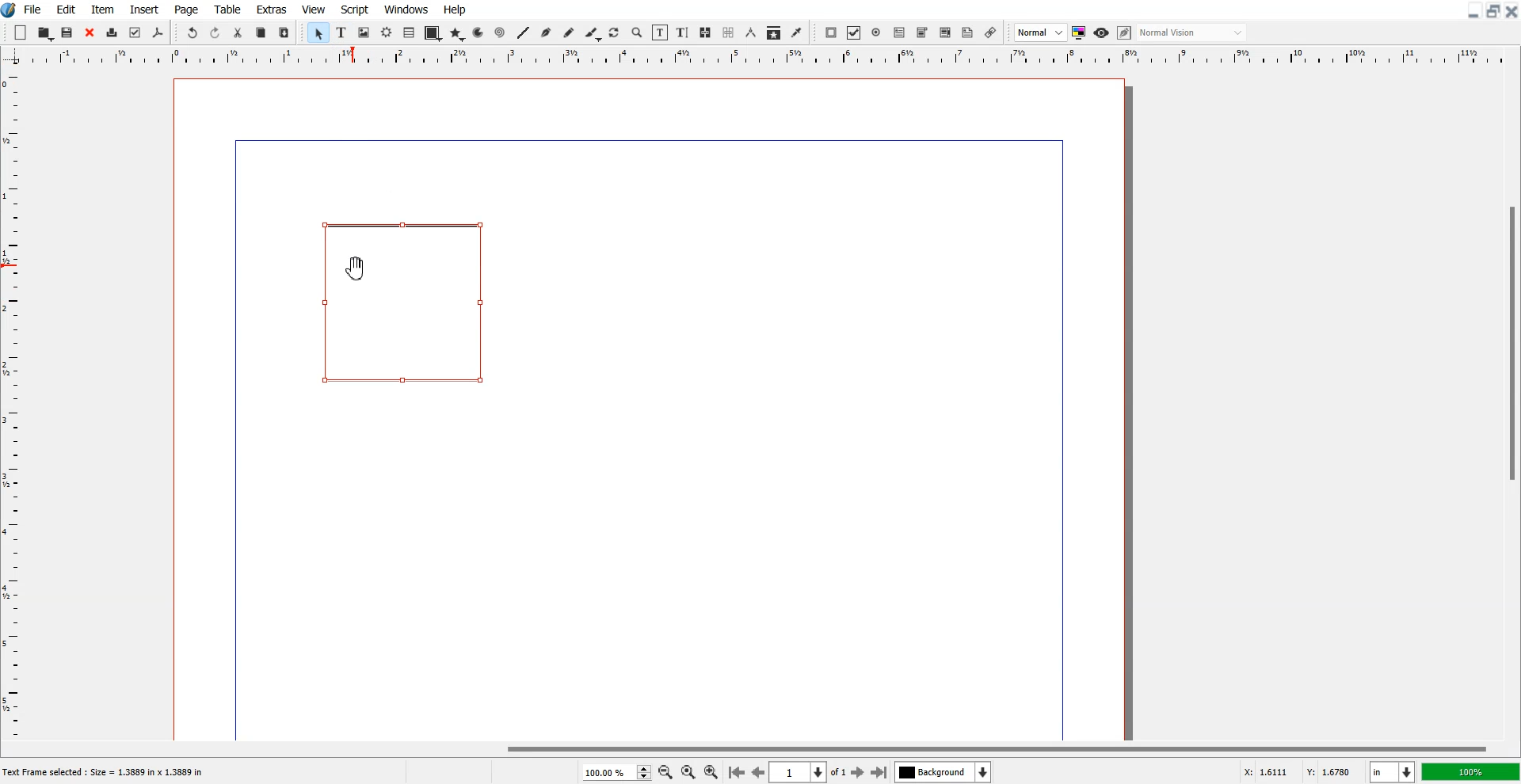 The width and height of the screenshot is (1521, 784). What do you see at coordinates (736, 771) in the screenshot?
I see `Go to First Page` at bounding box center [736, 771].